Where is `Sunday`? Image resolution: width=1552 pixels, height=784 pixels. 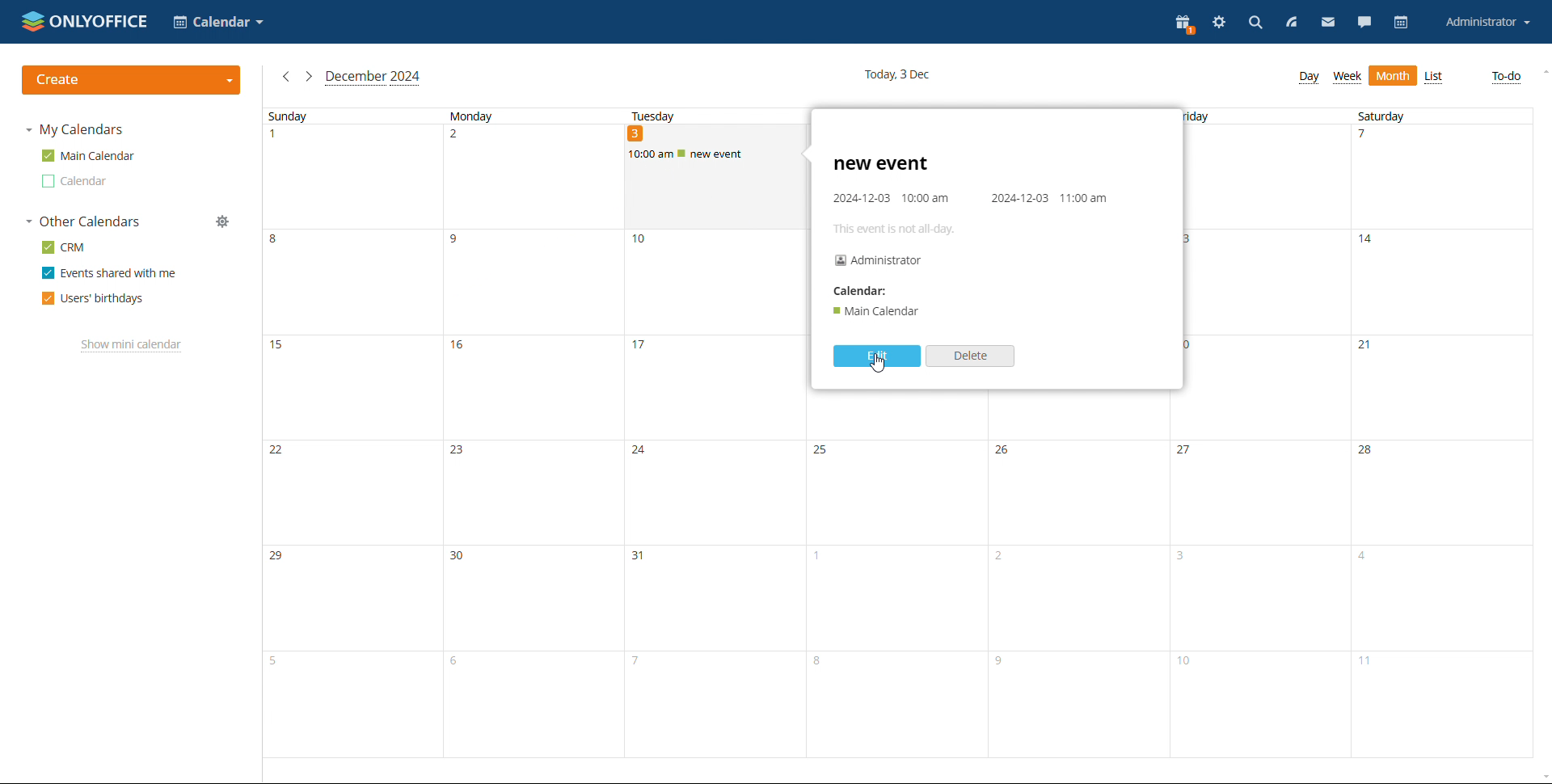
Sunday is located at coordinates (348, 116).